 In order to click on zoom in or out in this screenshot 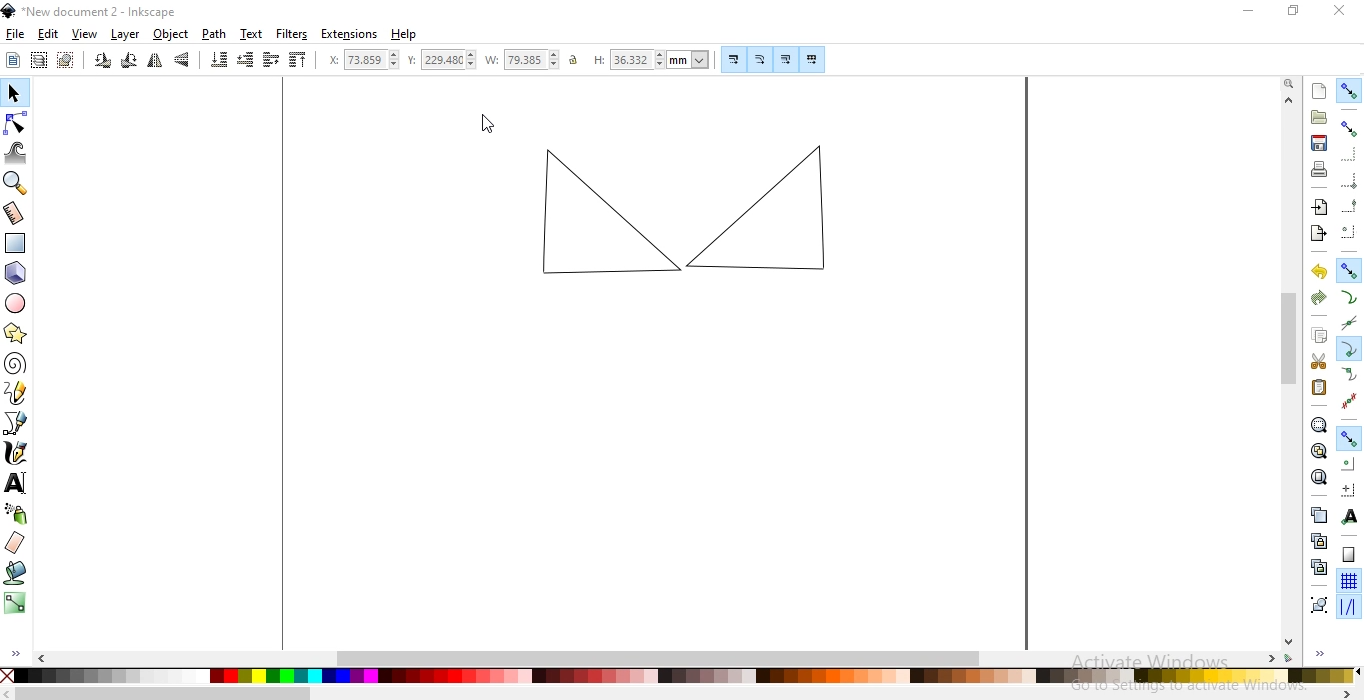, I will do `click(16, 183)`.